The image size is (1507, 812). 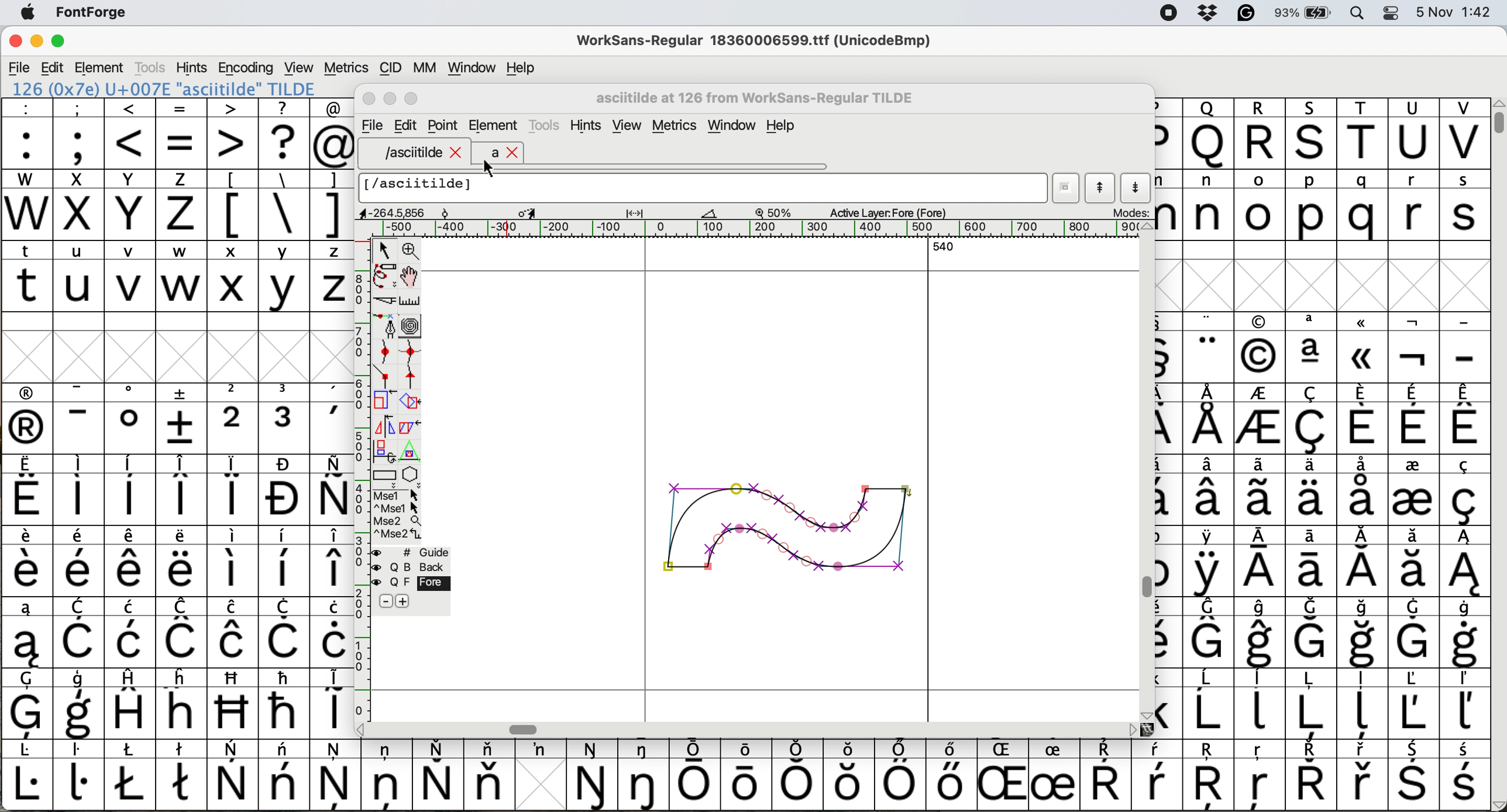 I want to click on symbol, so click(x=438, y=775).